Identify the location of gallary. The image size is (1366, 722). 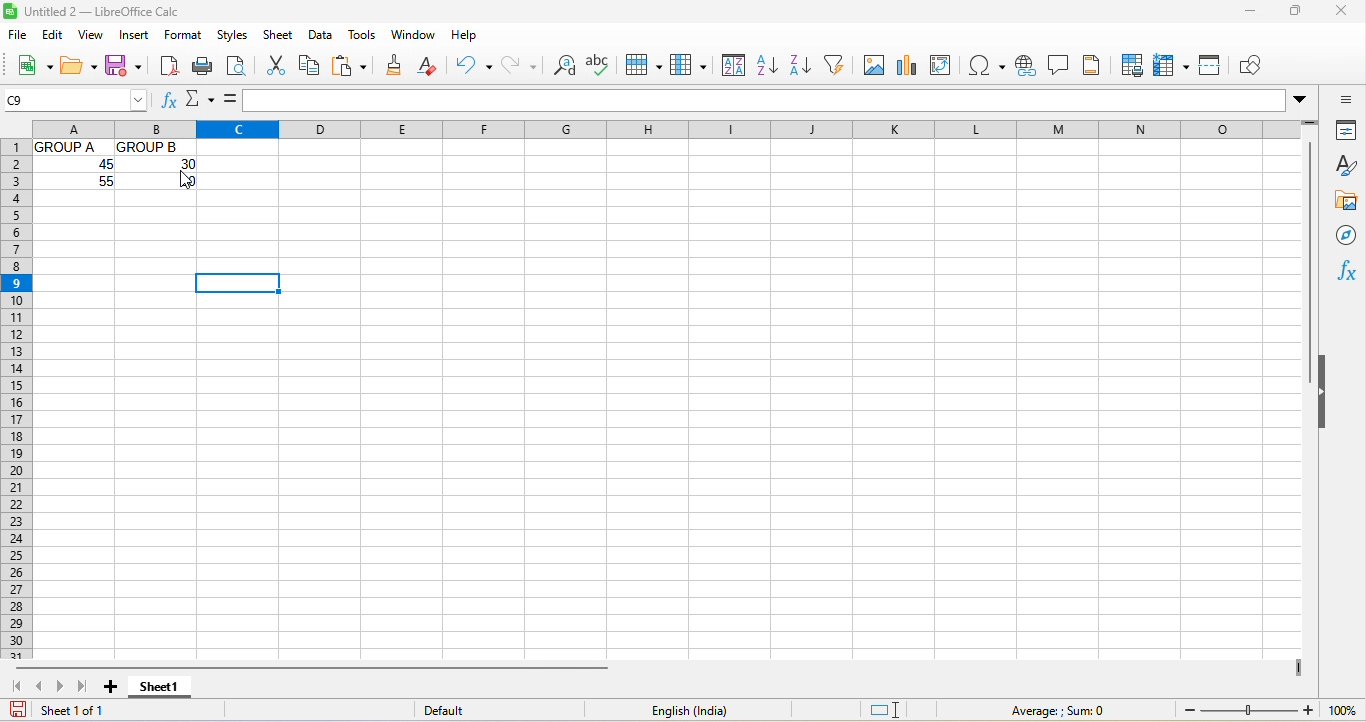
(1347, 202).